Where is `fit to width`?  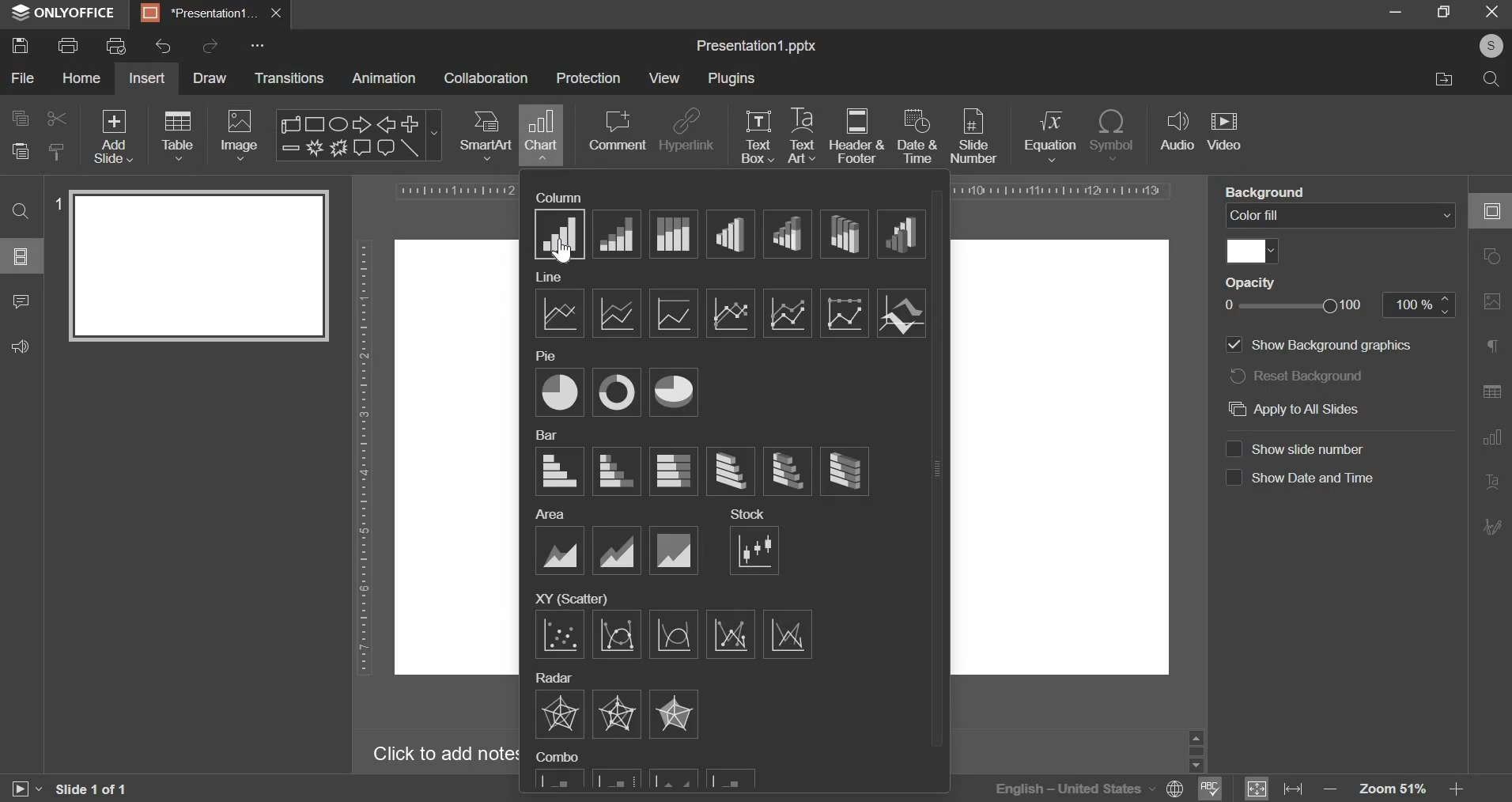
fit to width is located at coordinates (1292, 788).